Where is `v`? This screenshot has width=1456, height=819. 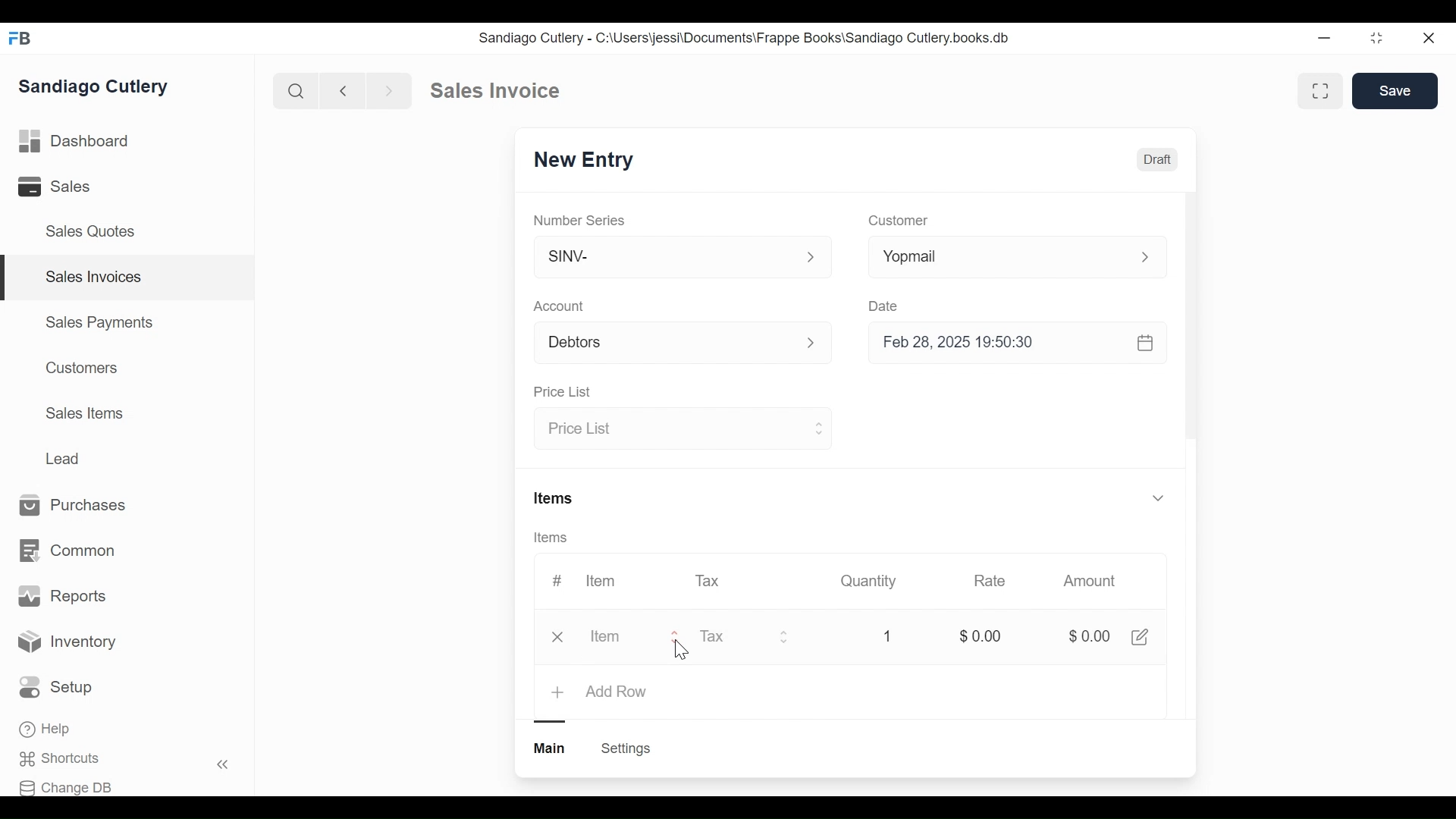 v is located at coordinates (1159, 499).